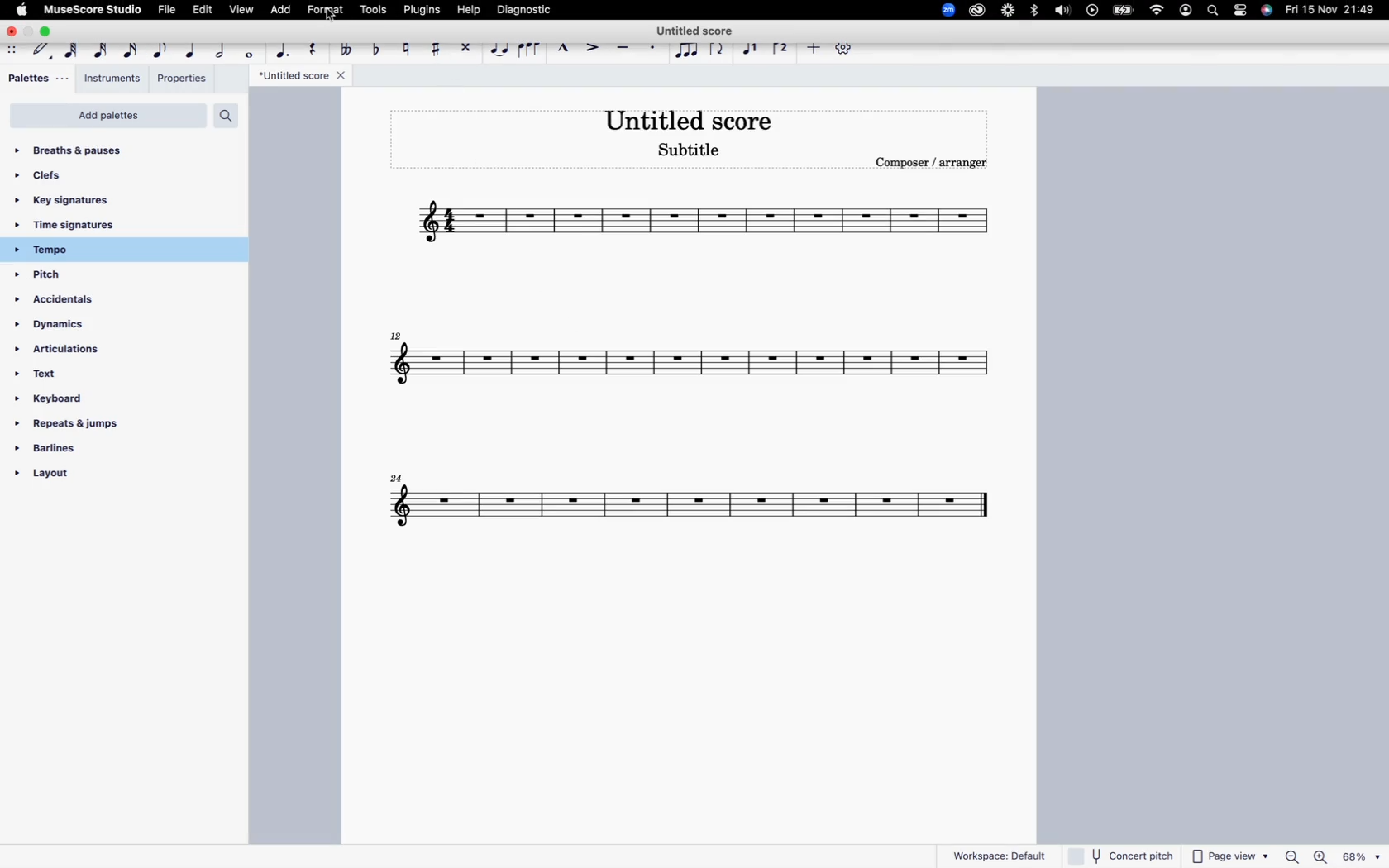  What do you see at coordinates (69, 425) in the screenshot?
I see `repeats & jumps` at bounding box center [69, 425].